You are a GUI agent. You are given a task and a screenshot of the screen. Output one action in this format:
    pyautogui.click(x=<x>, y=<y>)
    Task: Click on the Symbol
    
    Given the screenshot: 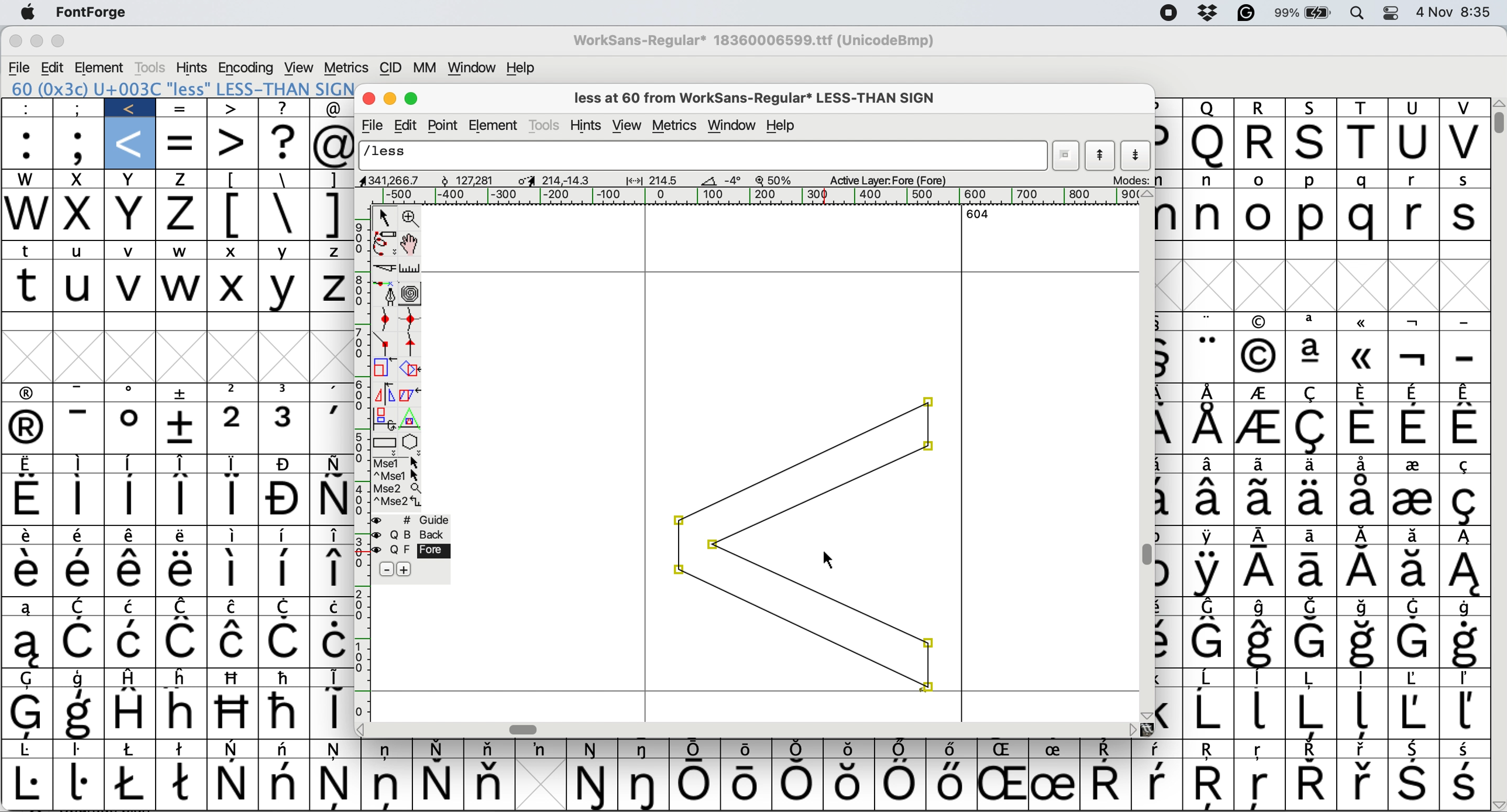 What is the action you would take?
    pyautogui.click(x=387, y=787)
    